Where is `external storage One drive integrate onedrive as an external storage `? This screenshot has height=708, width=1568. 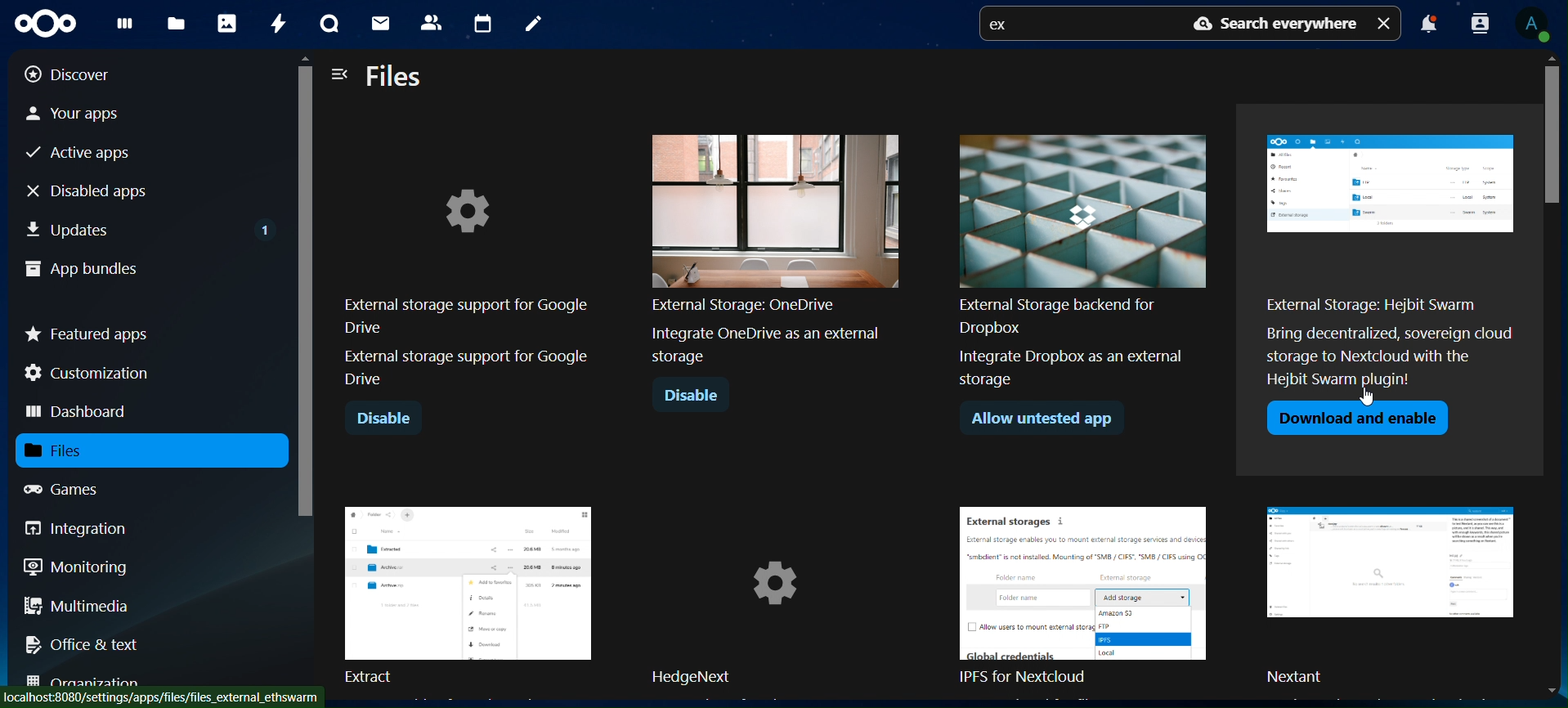 external storage One drive integrate onedrive as an external storage  is located at coordinates (1385, 258).